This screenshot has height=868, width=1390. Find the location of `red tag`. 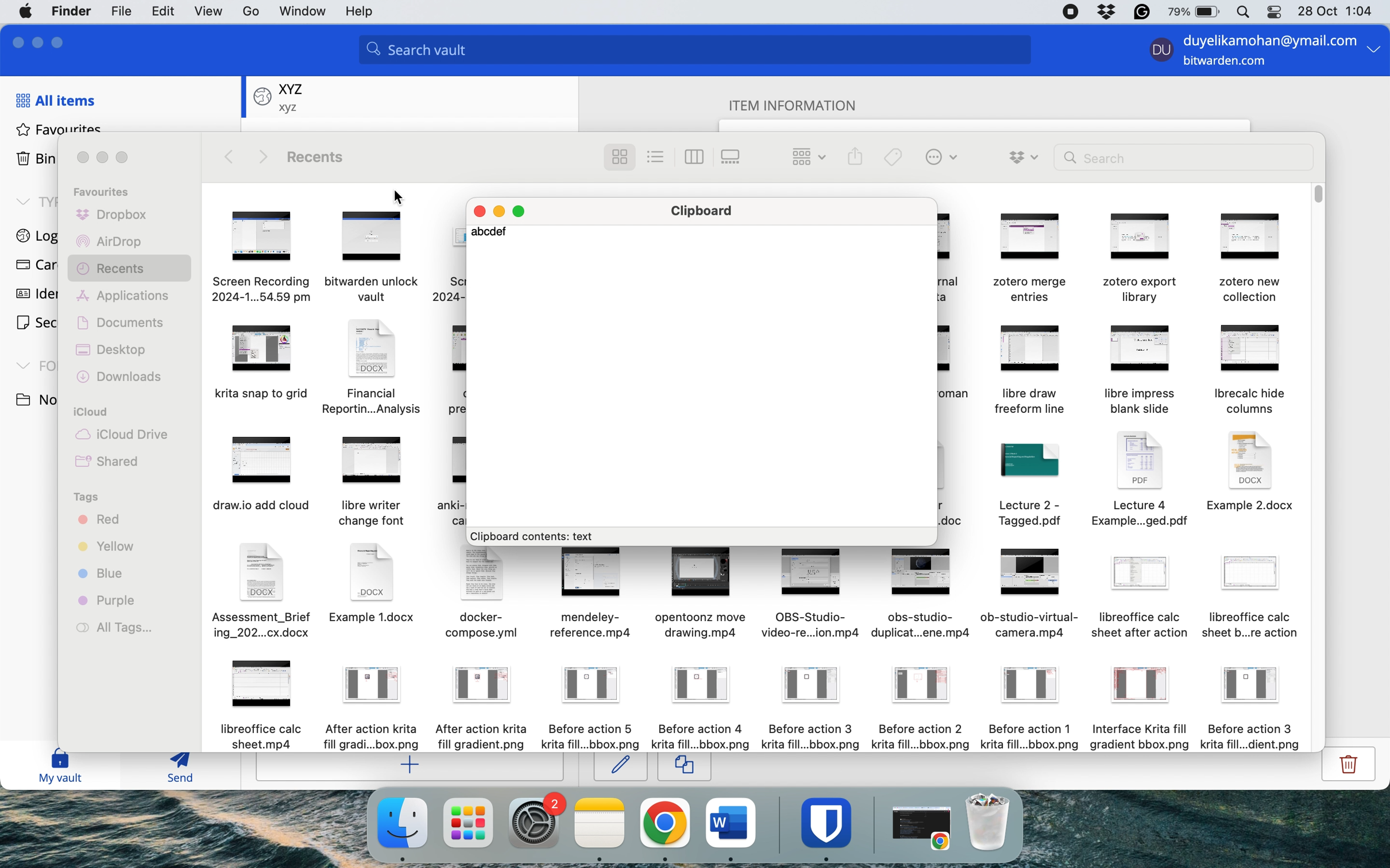

red tag is located at coordinates (99, 521).